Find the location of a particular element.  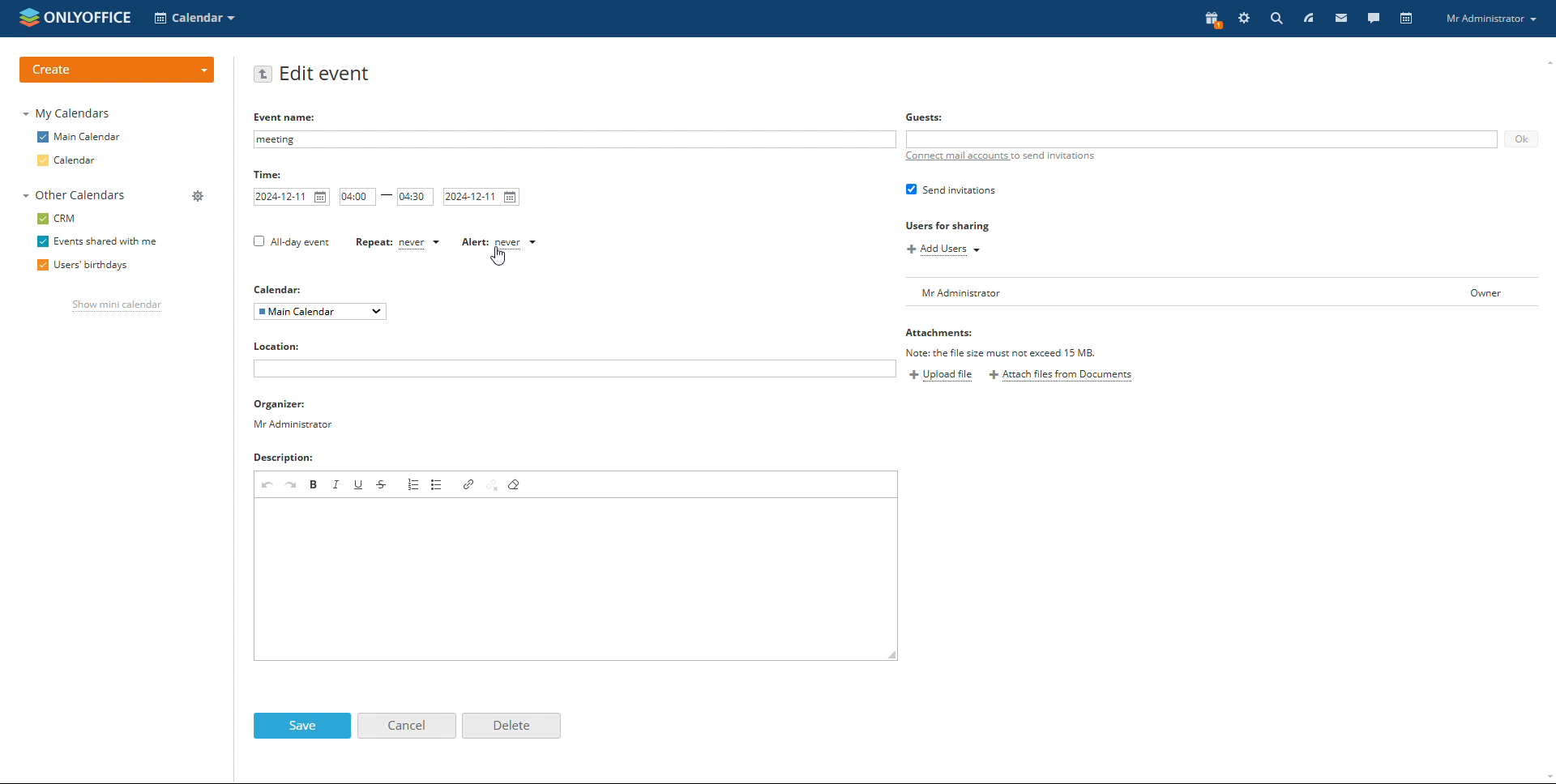

strikethrough is located at coordinates (383, 484).